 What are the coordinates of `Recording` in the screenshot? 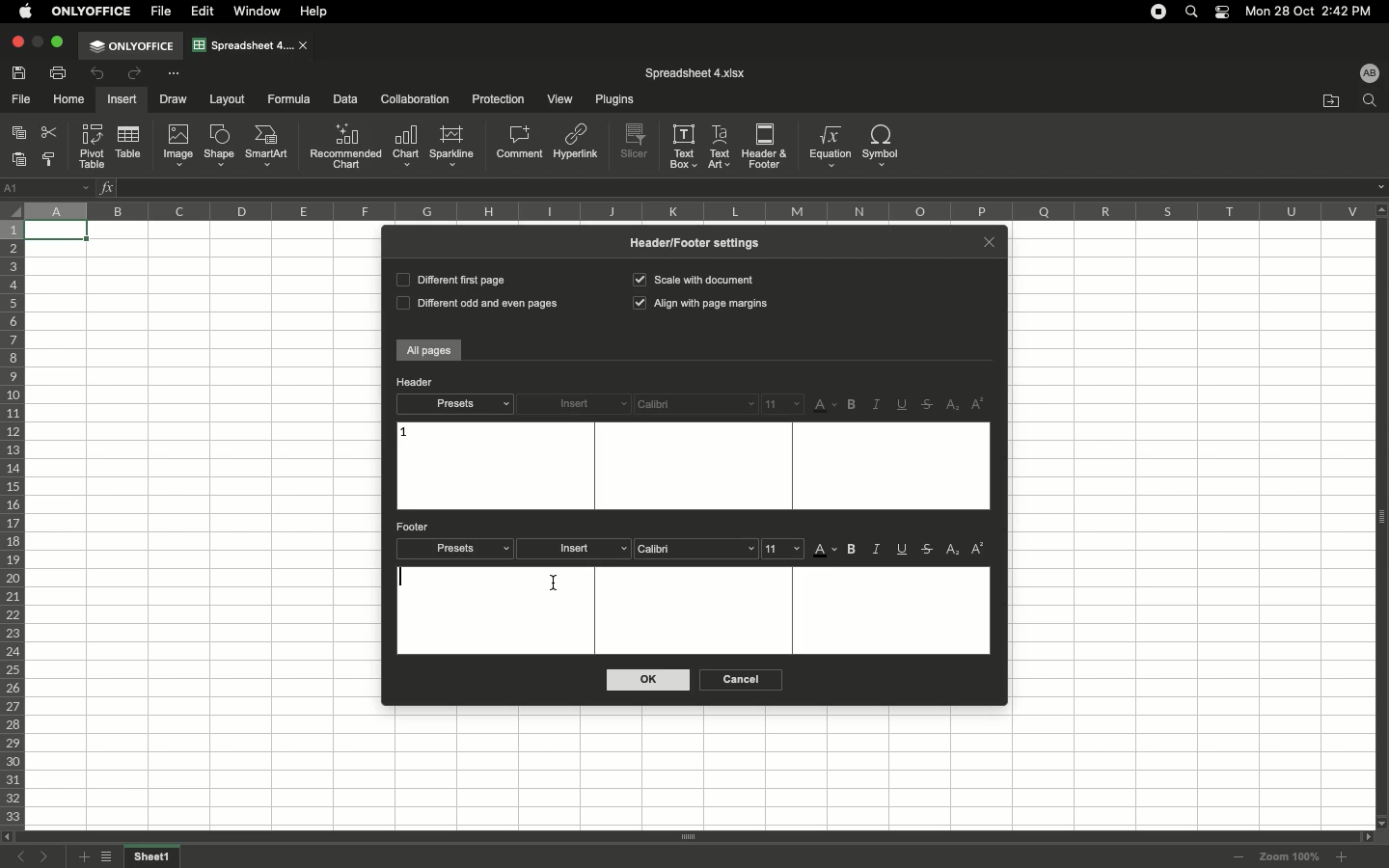 It's located at (1158, 12).